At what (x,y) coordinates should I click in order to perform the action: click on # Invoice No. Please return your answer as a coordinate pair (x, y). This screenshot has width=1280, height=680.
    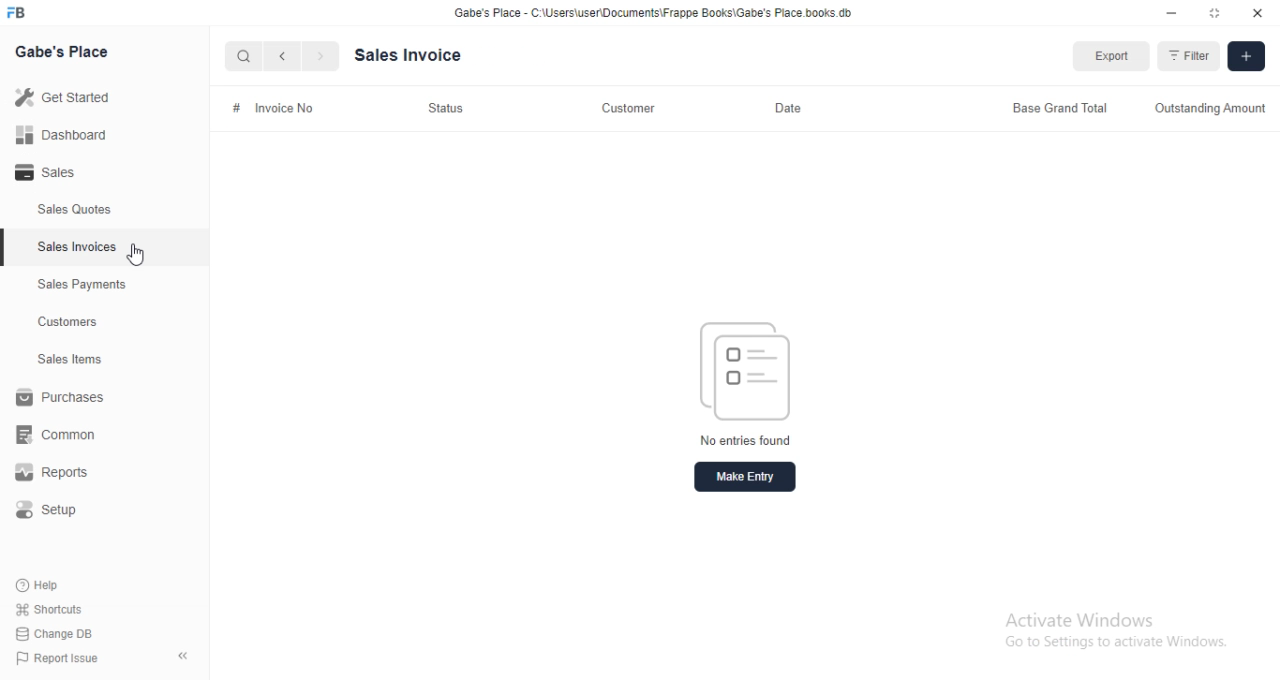
    Looking at the image, I should click on (277, 107).